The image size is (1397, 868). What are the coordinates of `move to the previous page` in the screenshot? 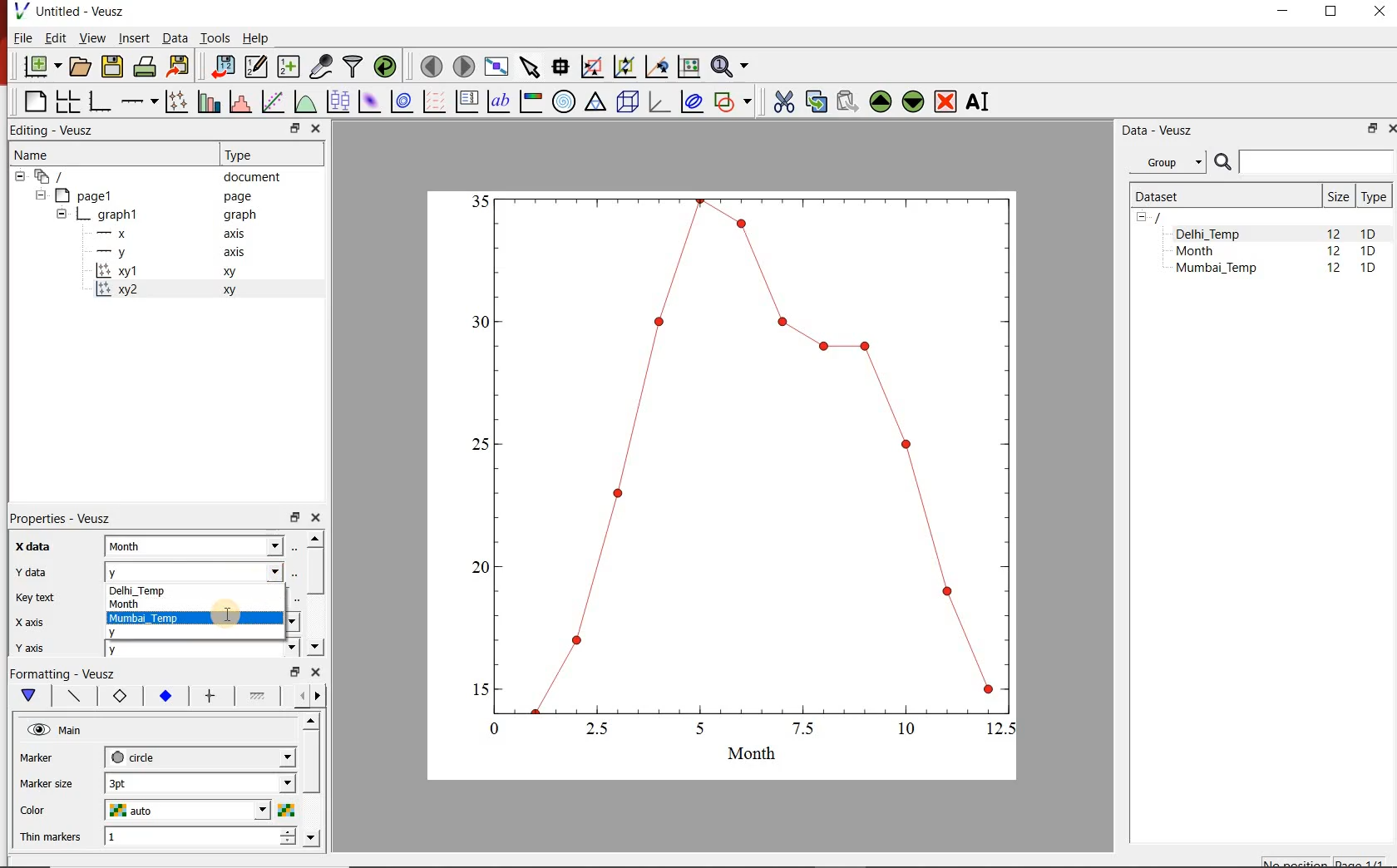 It's located at (431, 66).